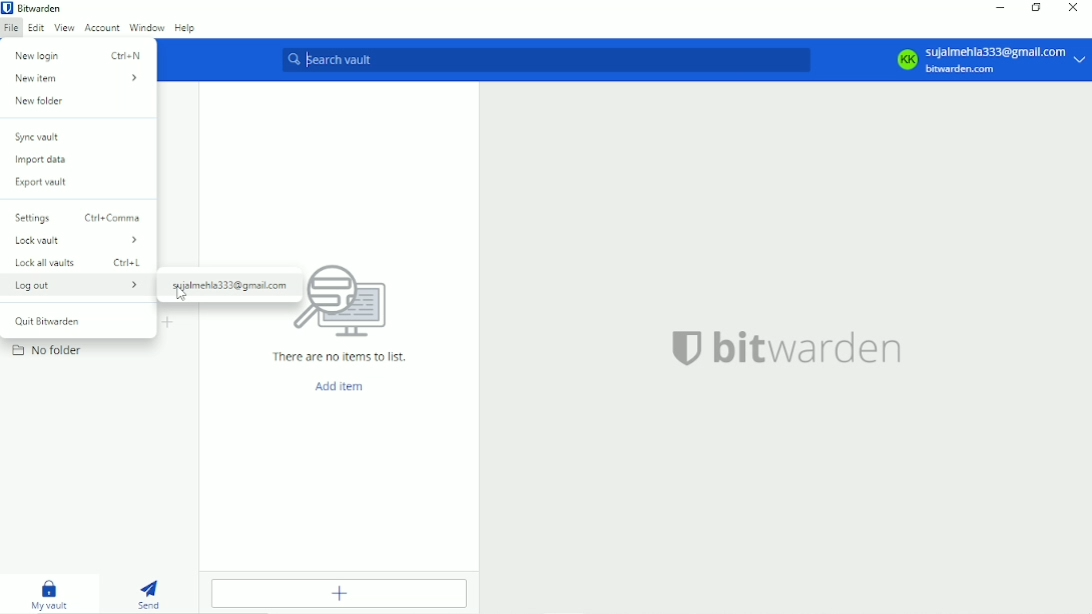 The image size is (1092, 614). What do you see at coordinates (47, 182) in the screenshot?
I see `Export vault` at bounding box center [47, 182].